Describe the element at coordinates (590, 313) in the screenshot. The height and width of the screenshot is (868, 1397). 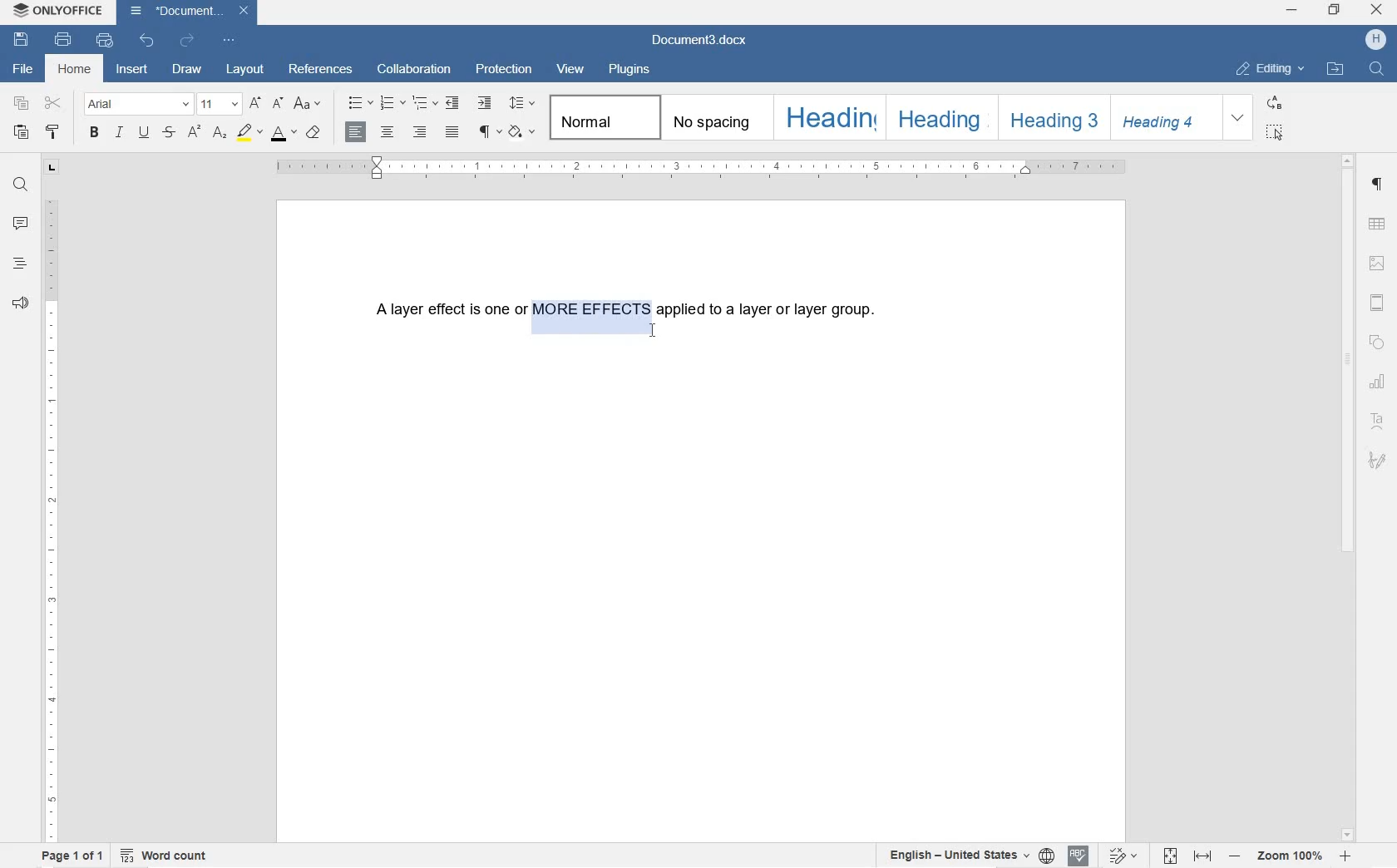
I see `TEXT HIGHLIGHTED` at that location.